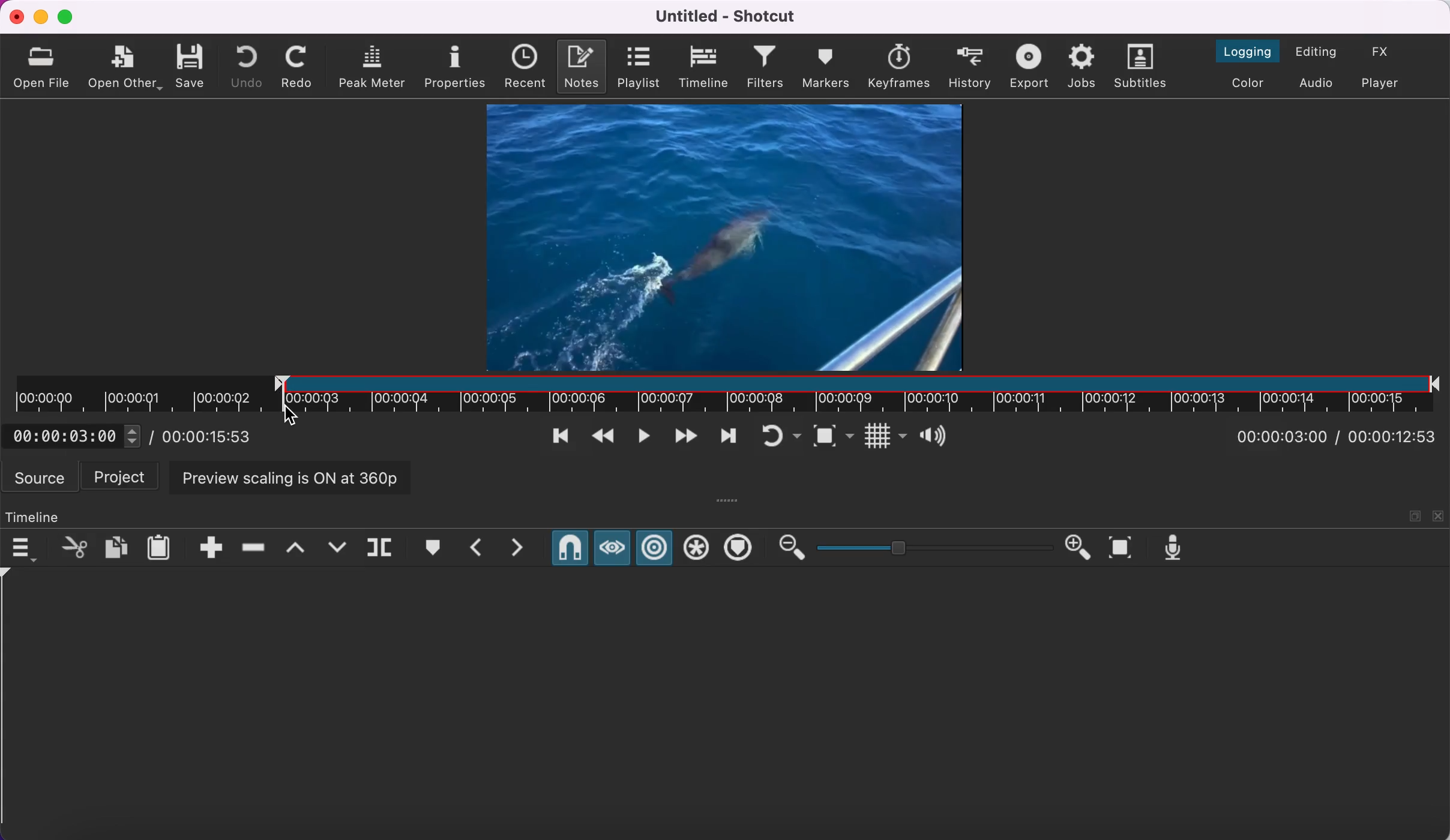 Image resolution: width=1450 pixels, height=840 pixels. I want to click on scrub while dragging, so click(612, 547).